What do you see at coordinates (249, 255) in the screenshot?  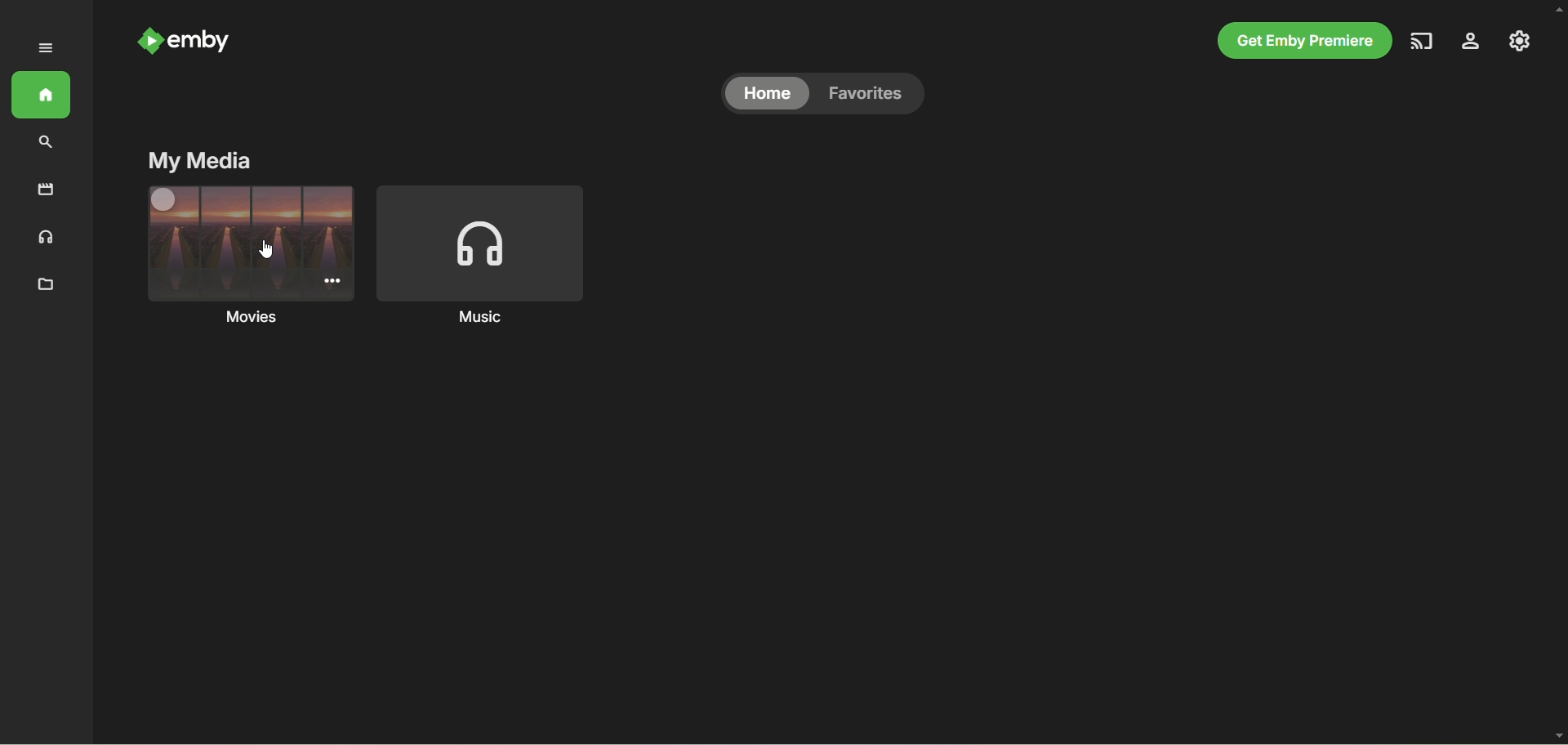 I see `movies` at bounding box center [249, 255].